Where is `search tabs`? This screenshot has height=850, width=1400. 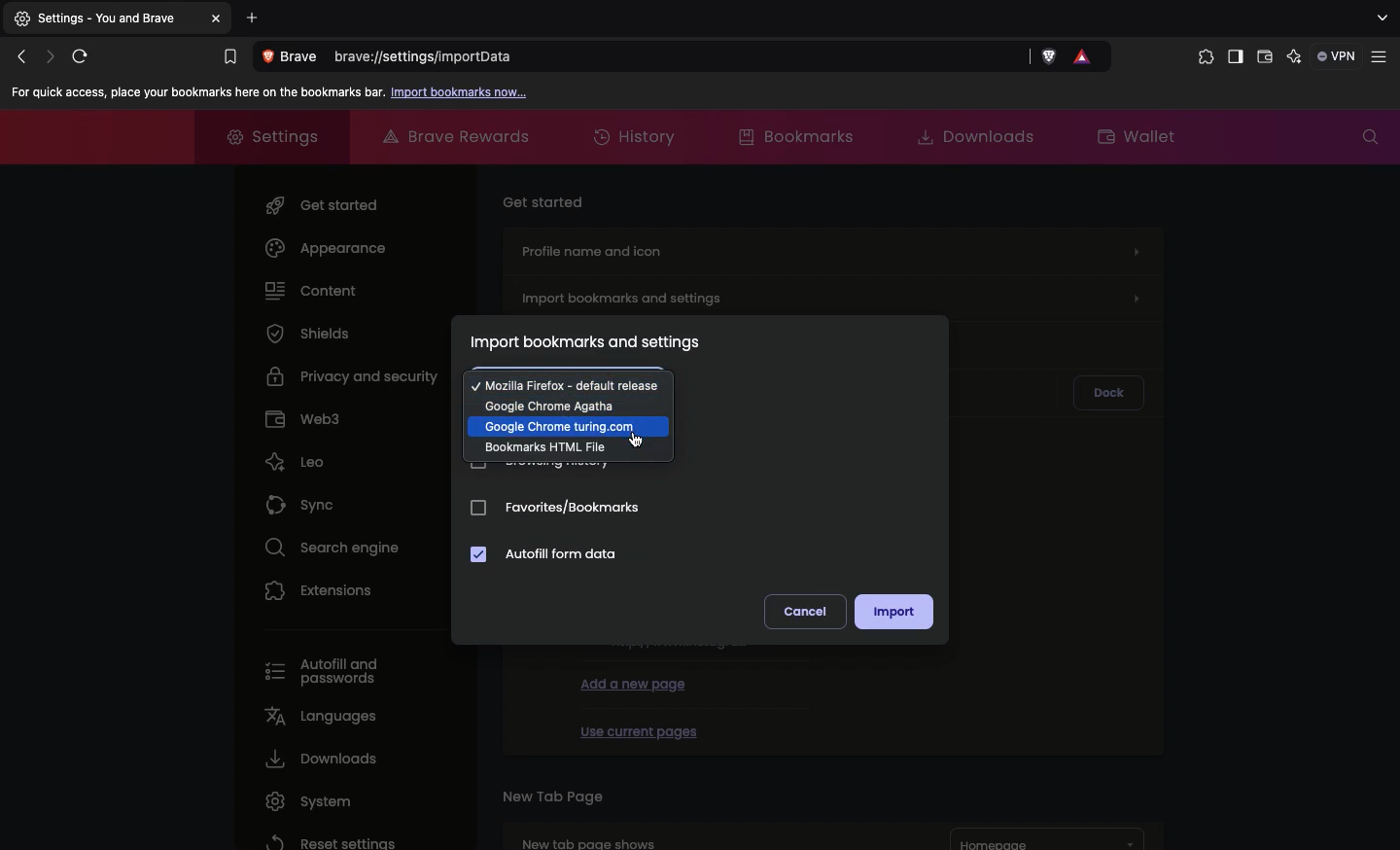
search tabs is located at coordinates (1381, 18).